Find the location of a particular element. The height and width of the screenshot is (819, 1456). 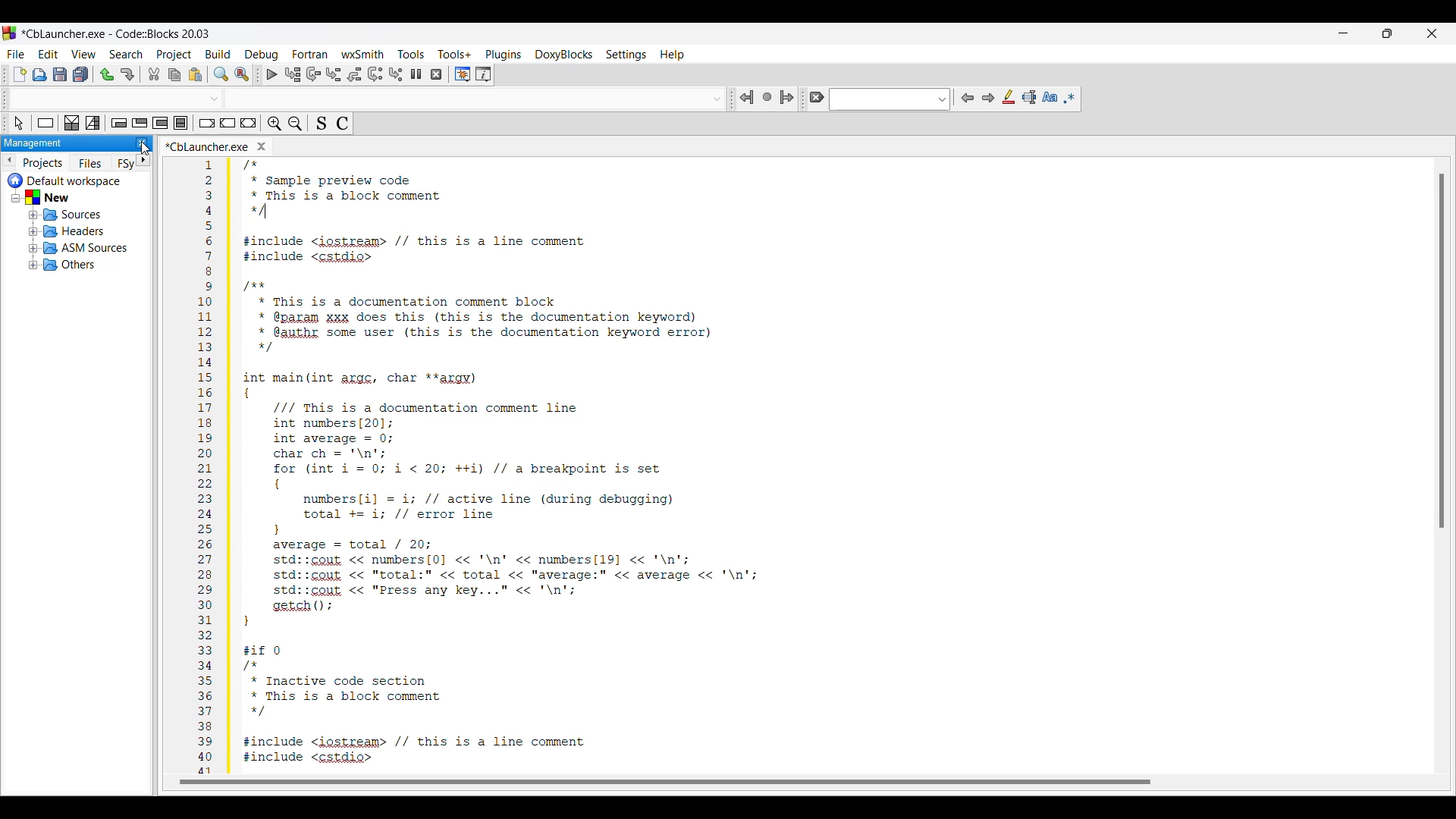

Jump forward is located at coordinates (787, 98).